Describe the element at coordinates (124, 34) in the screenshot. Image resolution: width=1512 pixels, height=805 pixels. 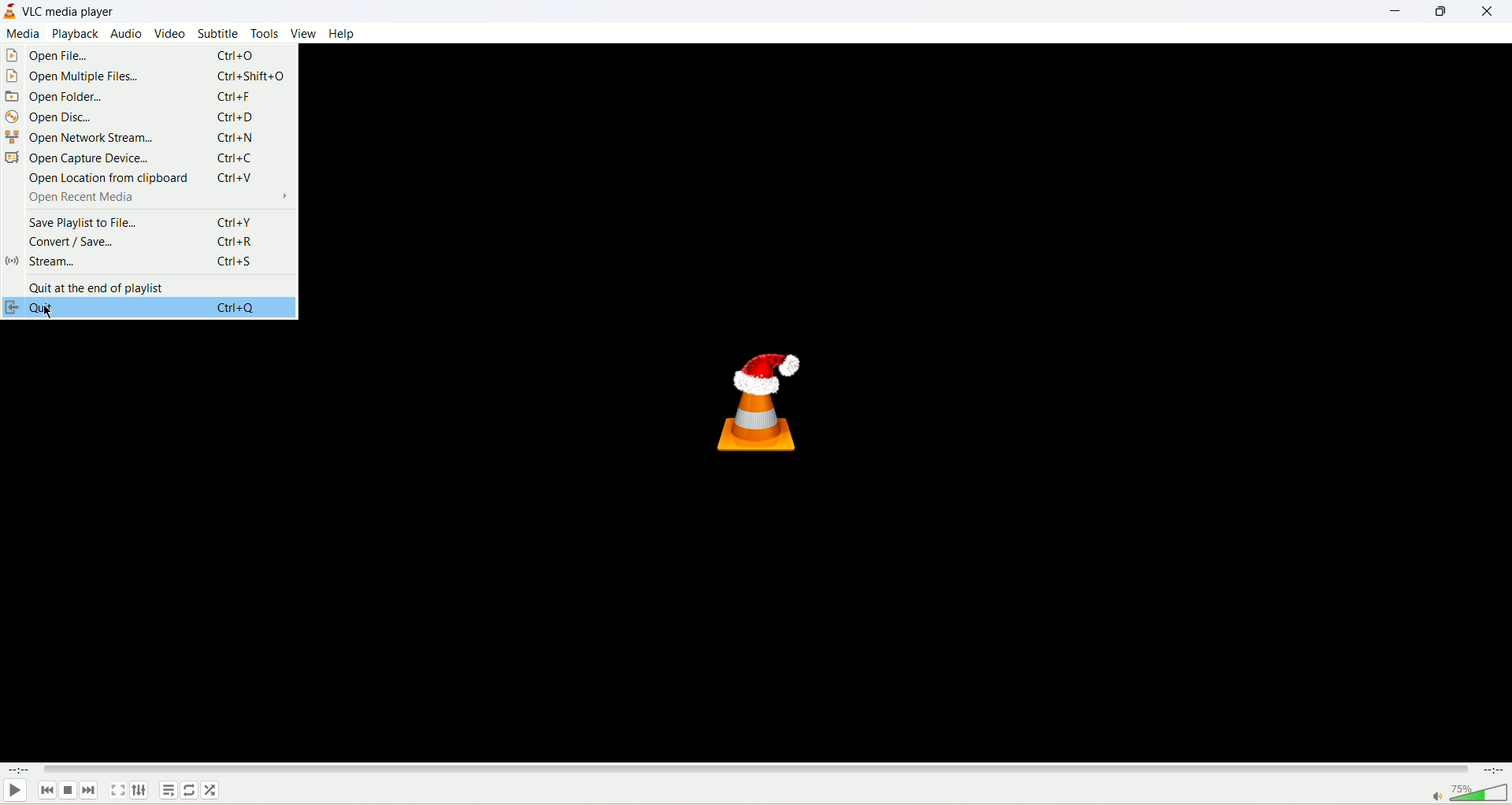
I see `audio` at that location.